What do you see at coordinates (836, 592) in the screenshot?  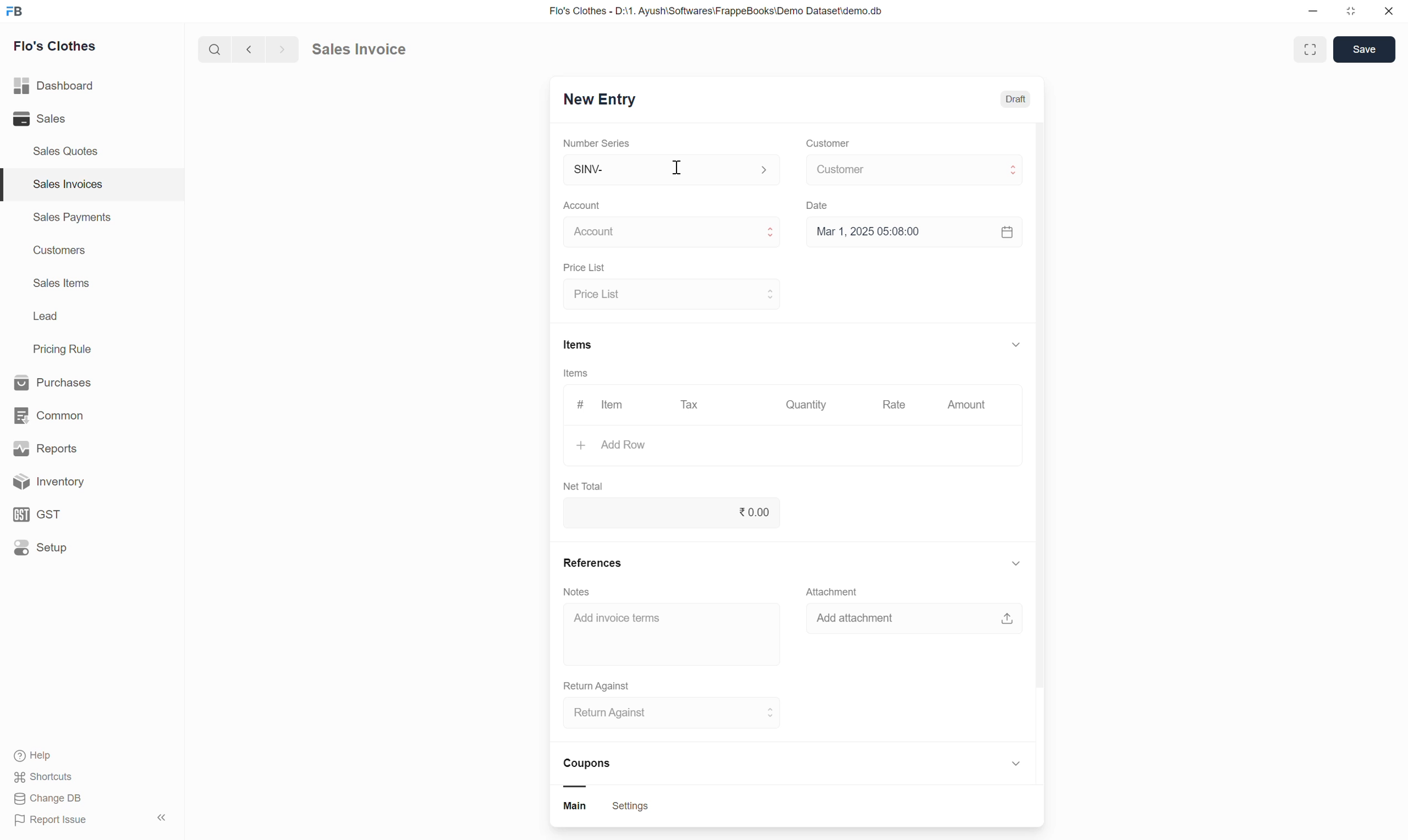 I see `Attachment` at bounding box center [836, 592].